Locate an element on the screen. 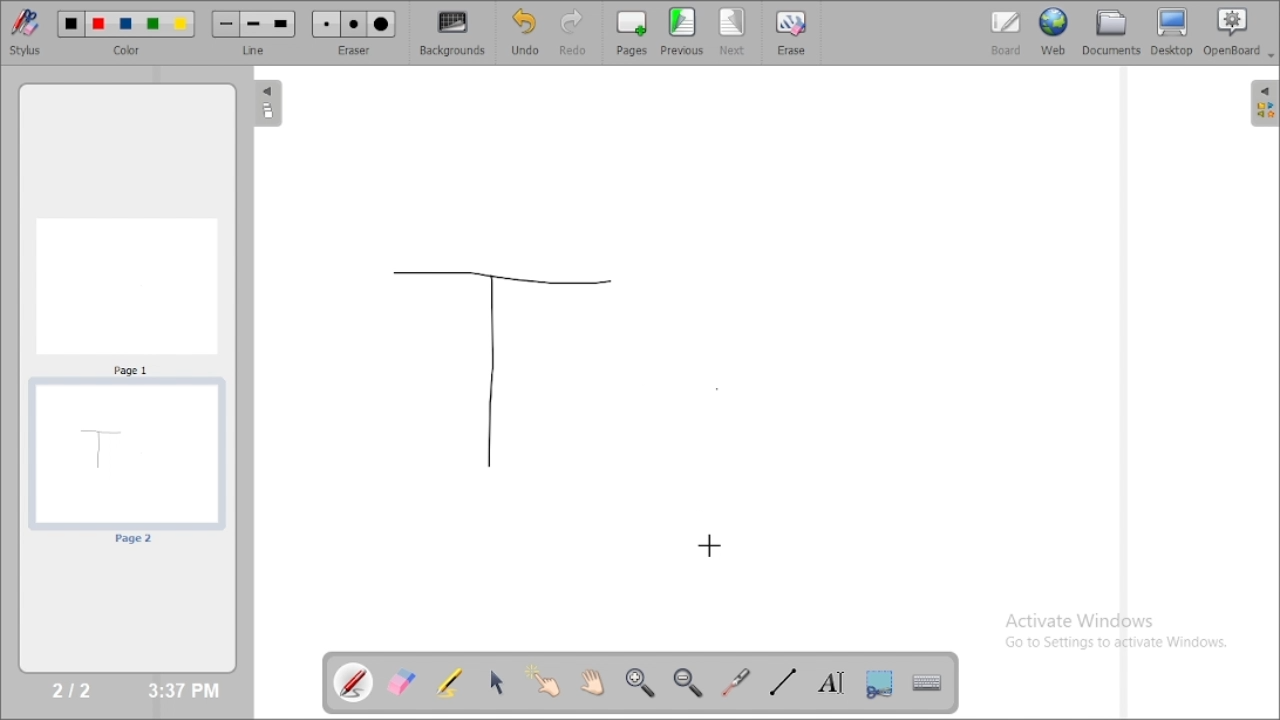  board is located at coordinates (1006, 33).